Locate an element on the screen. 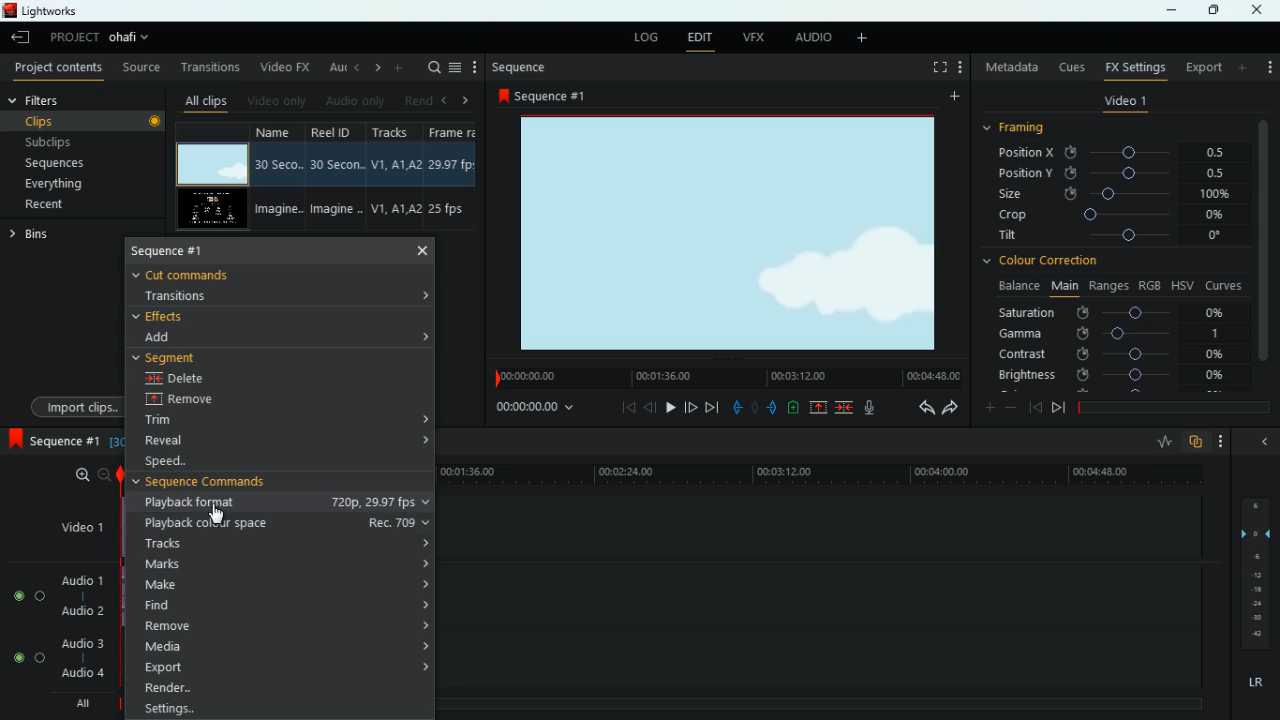 This screenshot has width=1280, height=720. brightness is located at coordinates (1113, 374).